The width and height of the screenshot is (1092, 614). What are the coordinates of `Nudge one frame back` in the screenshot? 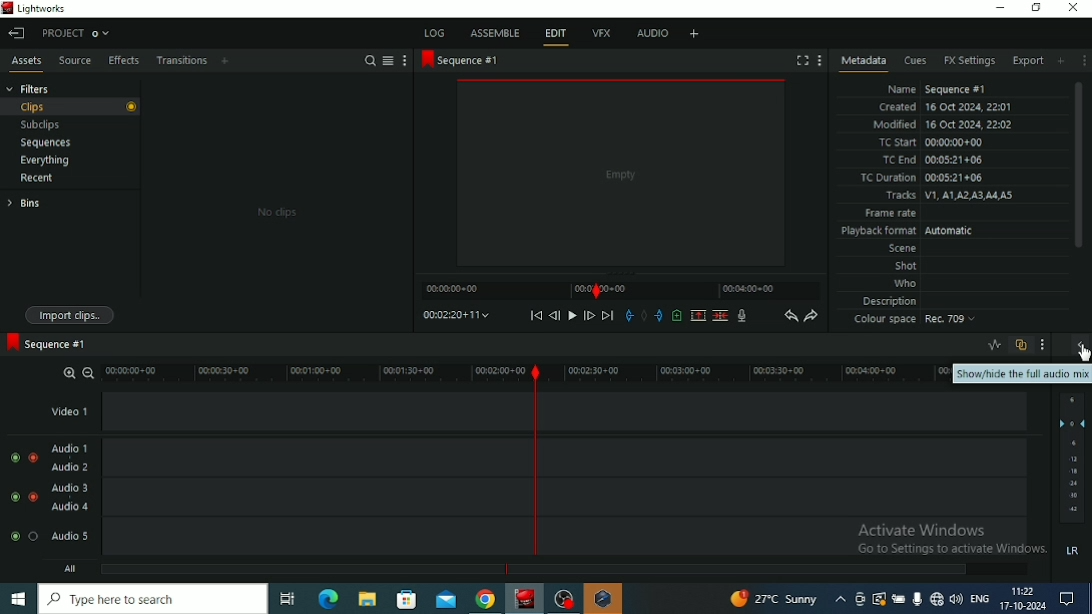 It's located at (554, 316).